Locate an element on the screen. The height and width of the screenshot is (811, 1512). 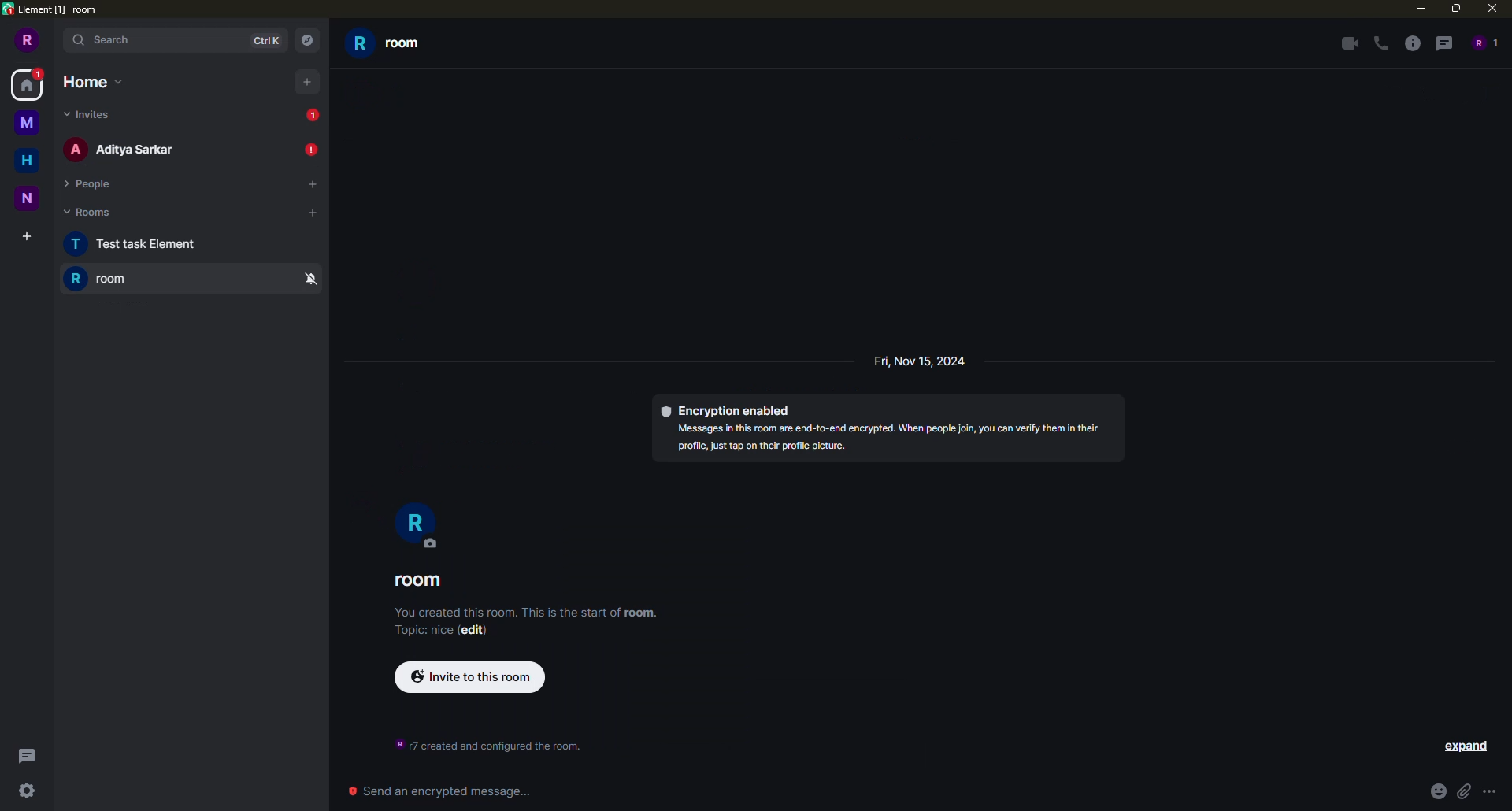
start a chat is located at coordinates (302, 187).